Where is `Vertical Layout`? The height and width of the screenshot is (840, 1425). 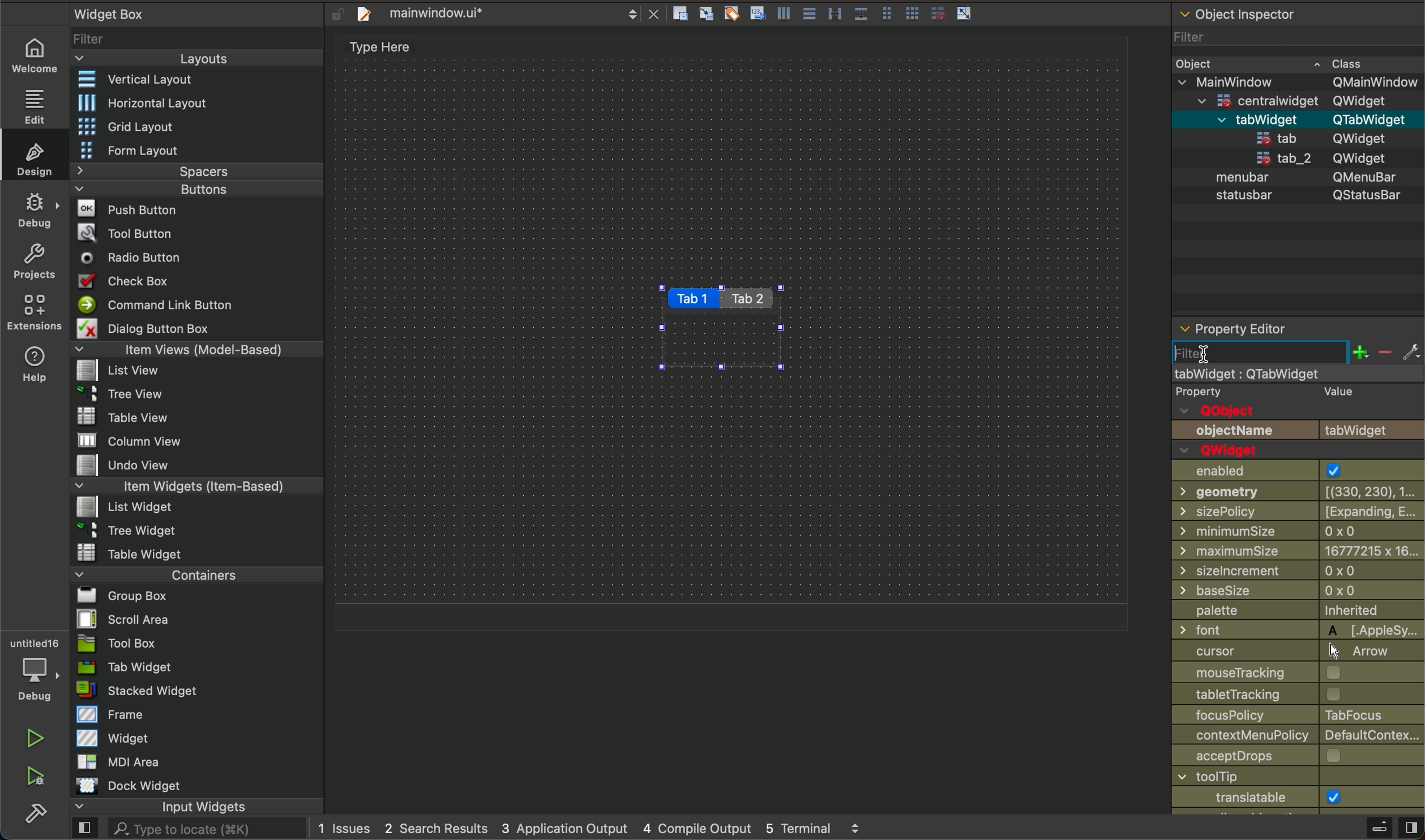 Vertical Layout is located at coordinates (132, 78).